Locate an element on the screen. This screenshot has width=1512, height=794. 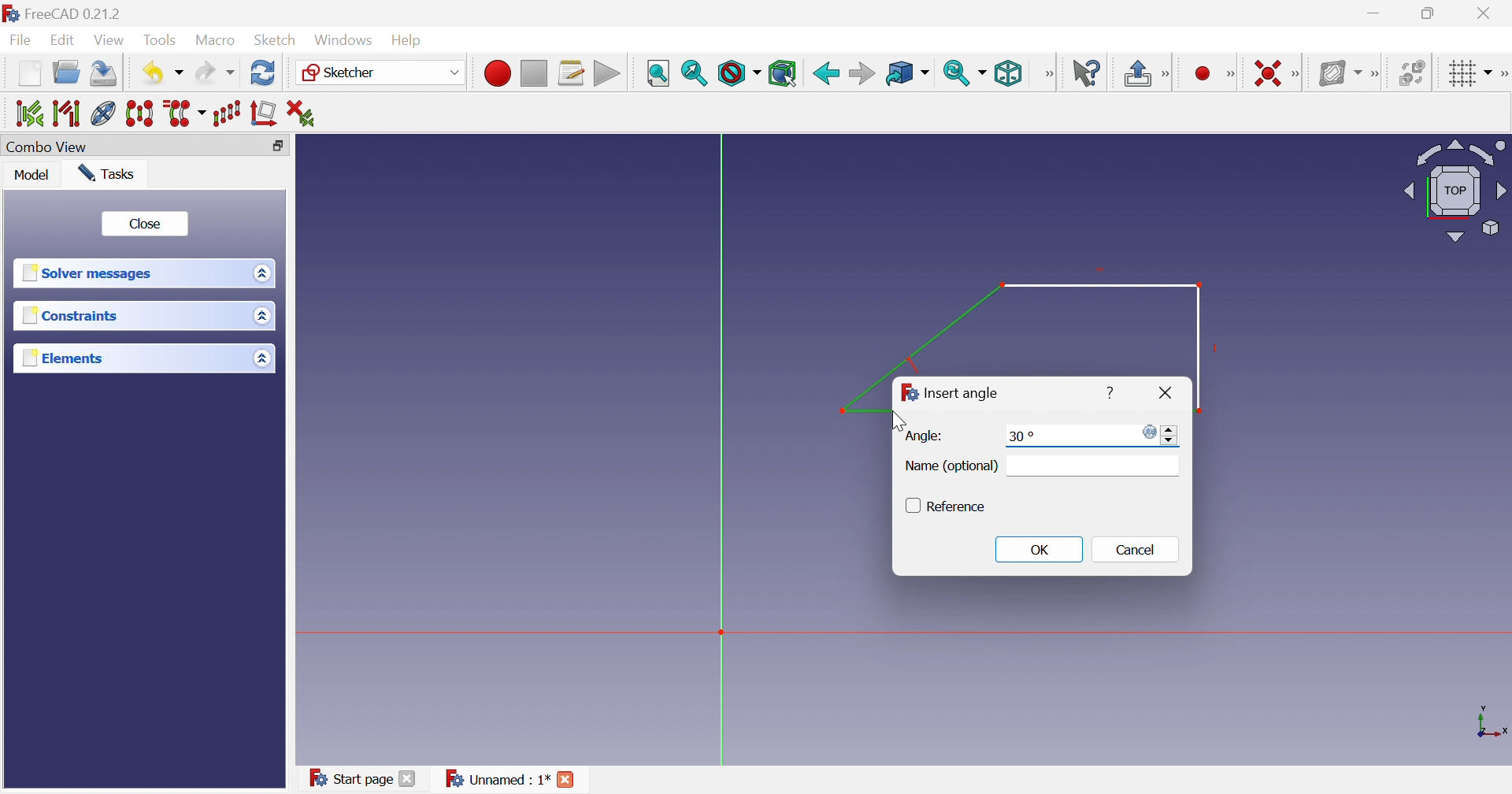
More is located at coordinates (1374, 71).